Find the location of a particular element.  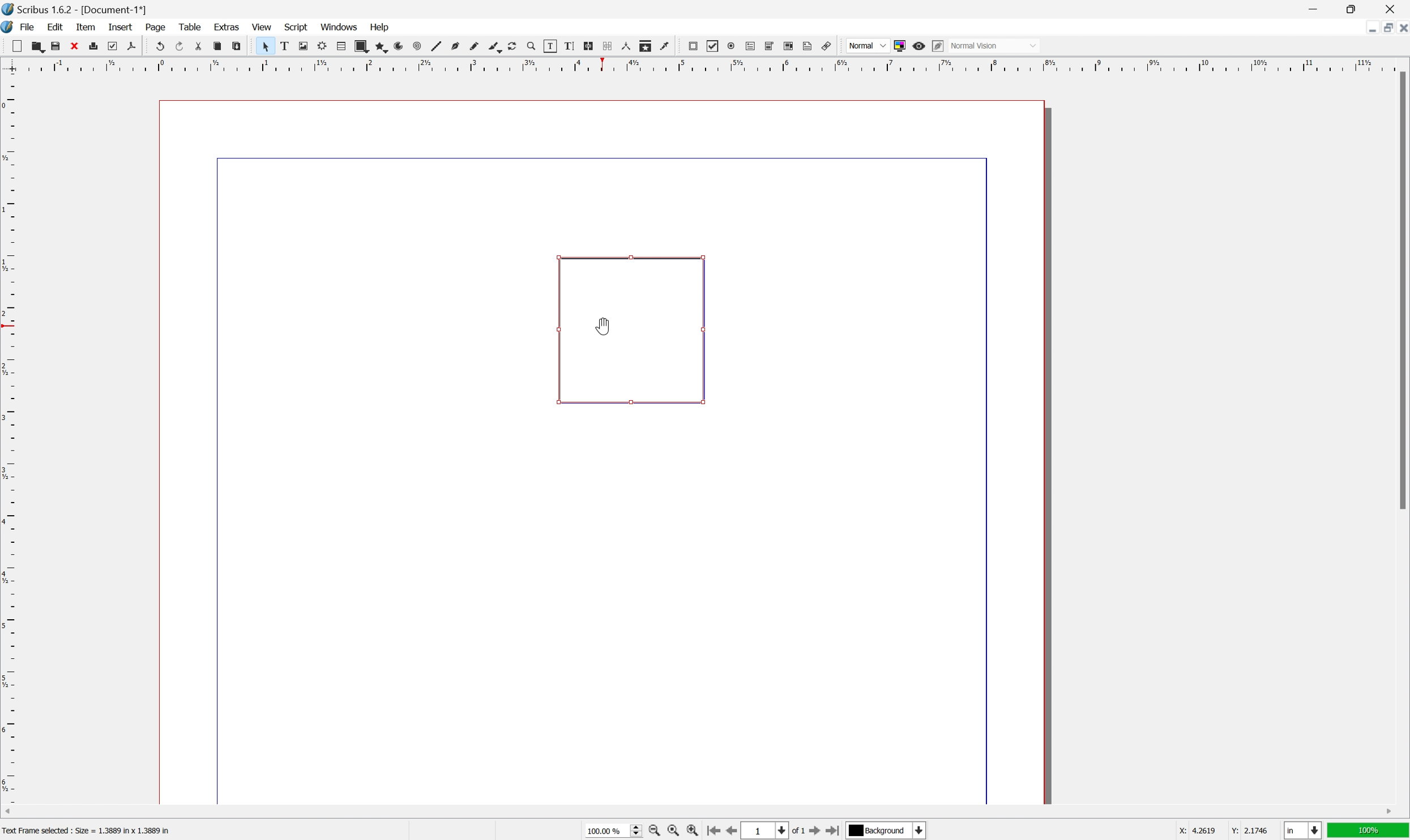

Text frame selected : size = 1.3889 in × 1.3889 in is located at coordinates (88, 829).